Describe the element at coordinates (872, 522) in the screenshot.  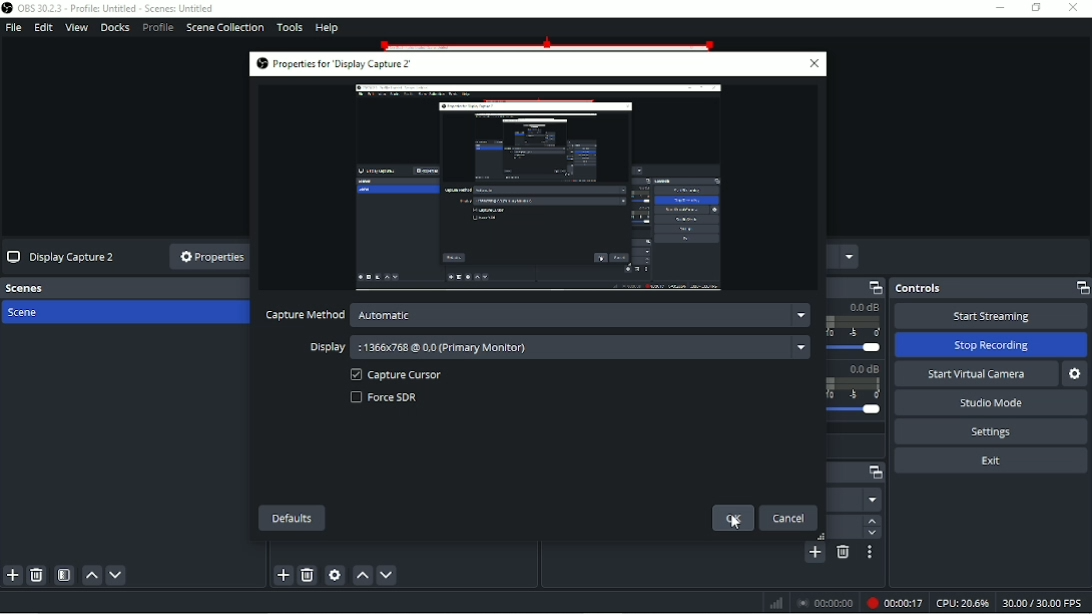
I see `Up arrow` at that location.